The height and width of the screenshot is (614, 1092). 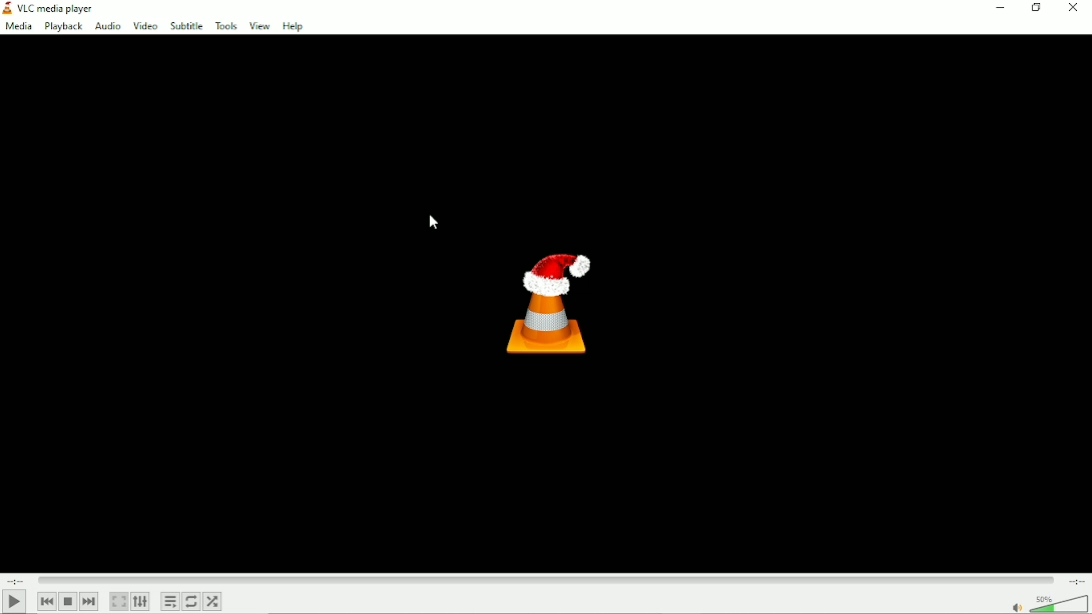 I want to click on Stop playlist, so click(x=68, y=601).